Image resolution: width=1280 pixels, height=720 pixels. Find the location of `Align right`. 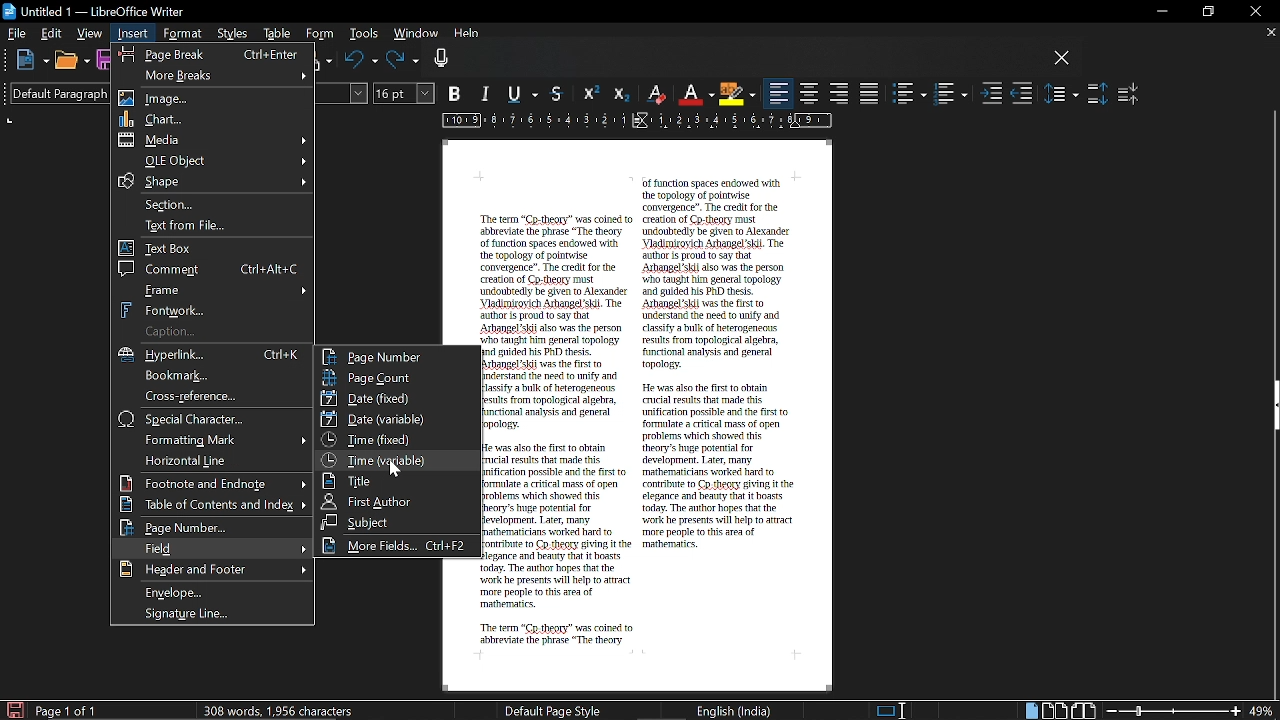

Align right is located at coordinates (840, 92).